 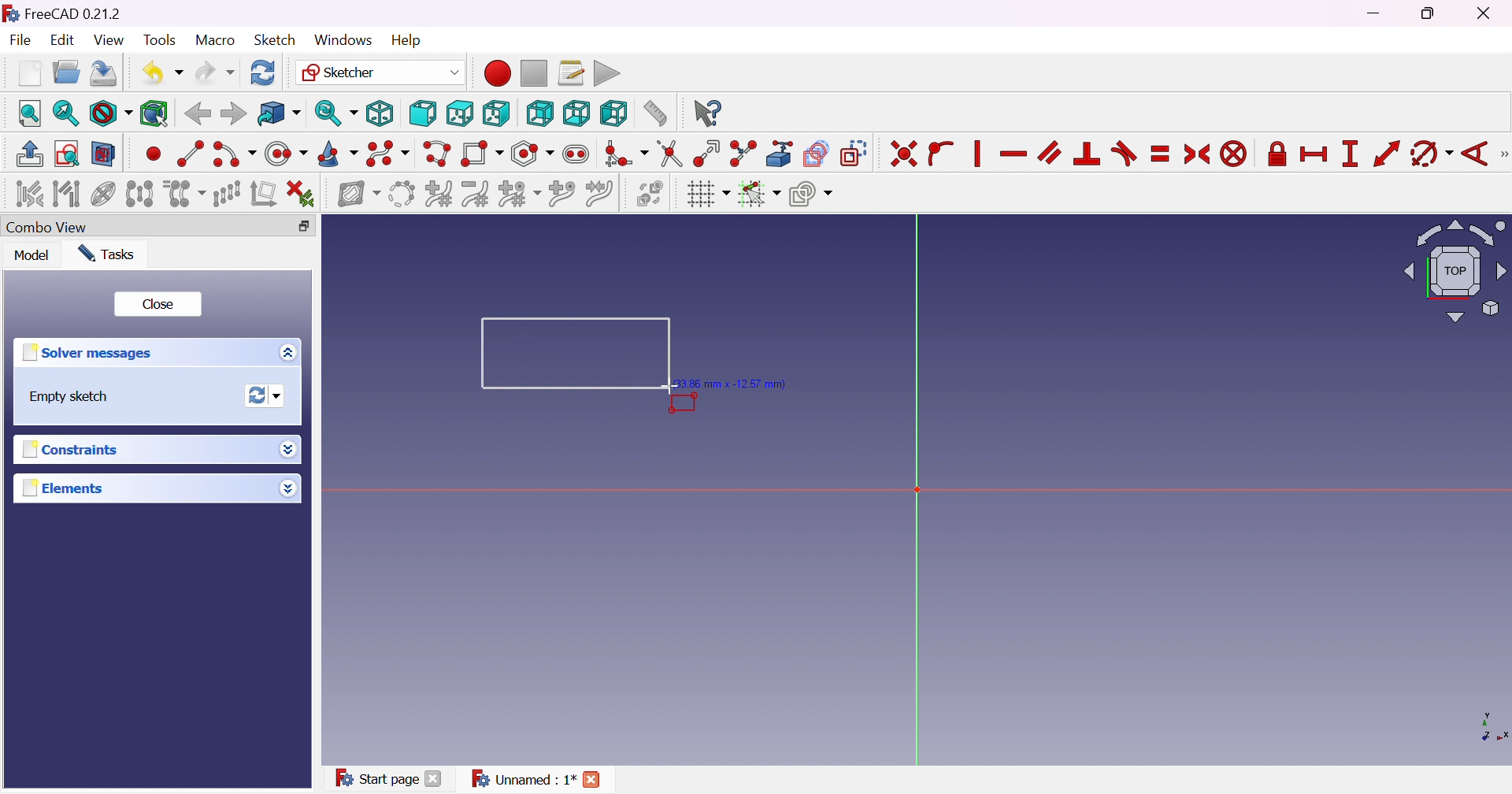 What do you see at coordinates (51, 228) in the screenshot?
I see `Combo` at bounding box center [51, 228].